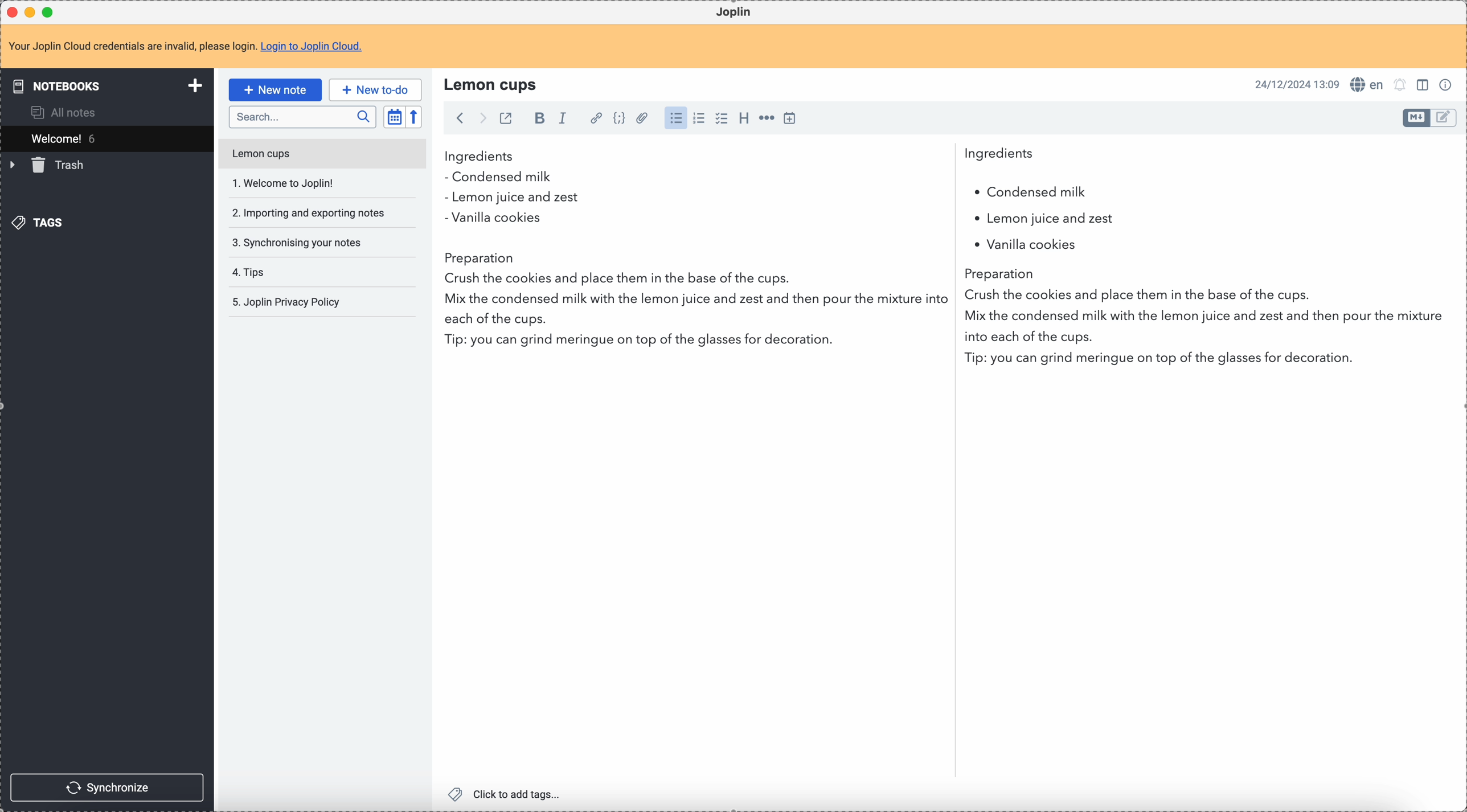  I want to click on reverse sort order, so click(416, 117).